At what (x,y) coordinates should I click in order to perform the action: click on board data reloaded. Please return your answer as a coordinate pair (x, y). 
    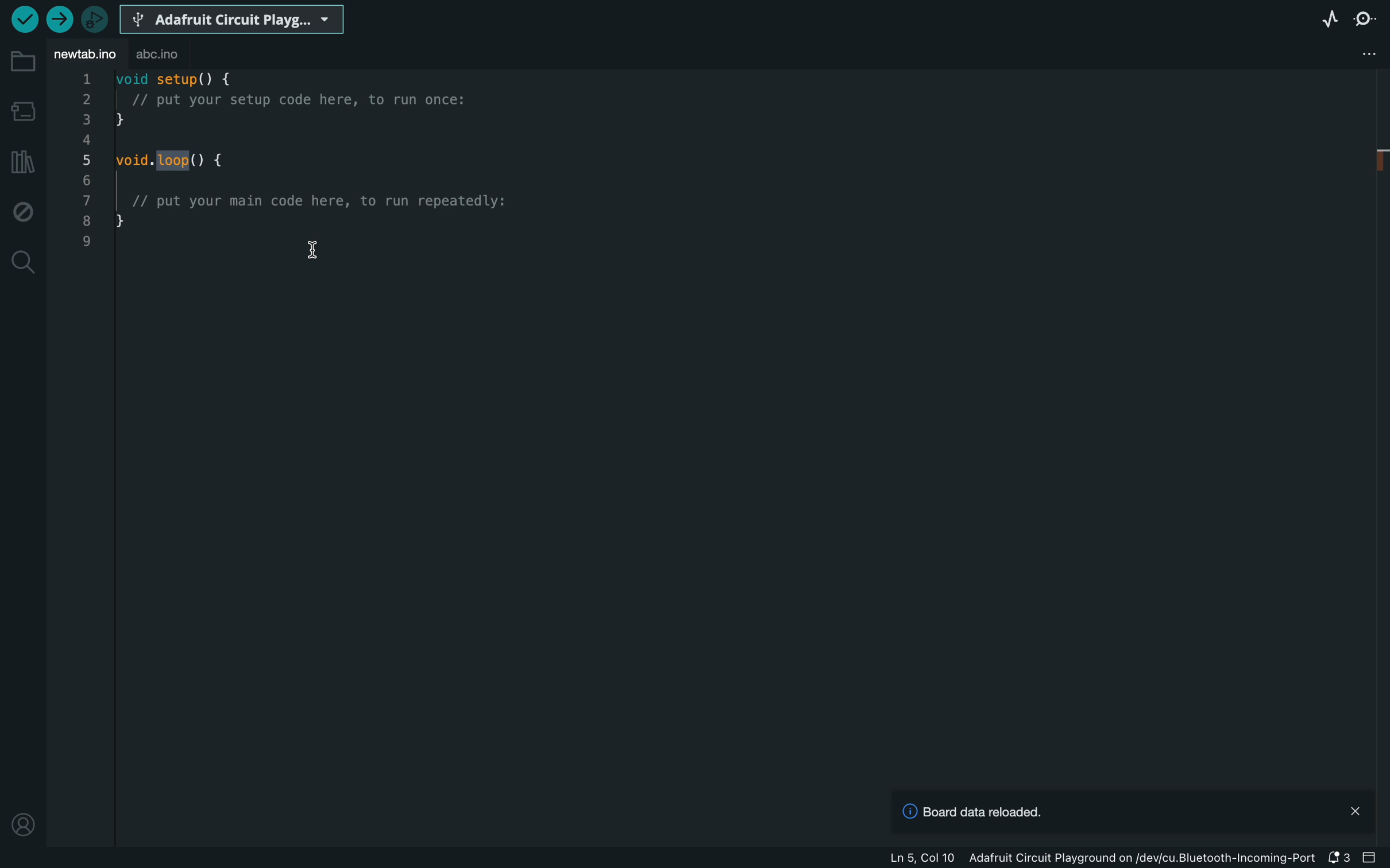
    Looking at the image, I should click on (971, 812).